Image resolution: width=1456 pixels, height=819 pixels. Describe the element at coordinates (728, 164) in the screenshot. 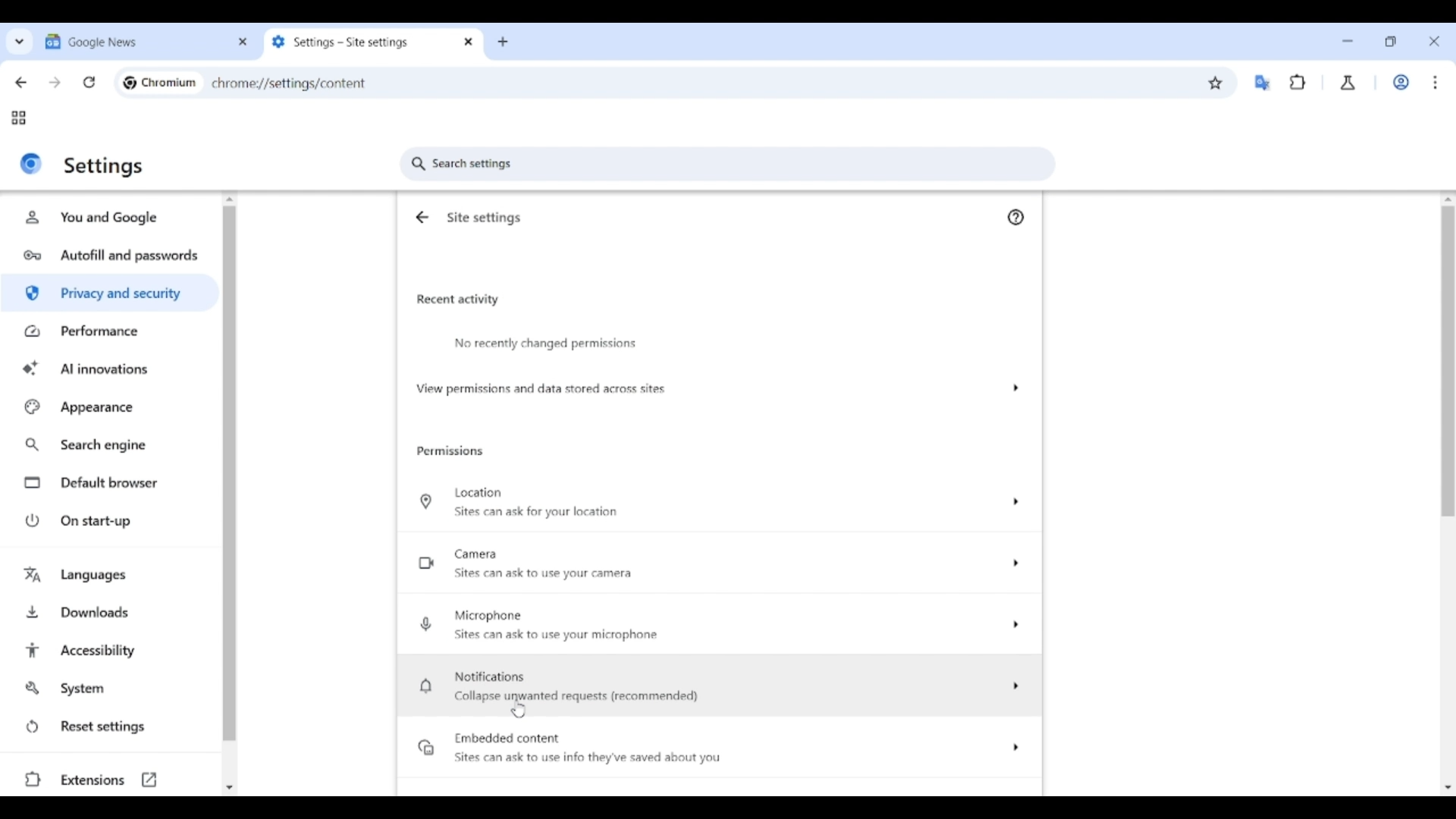

I see `Search settings` at that location.